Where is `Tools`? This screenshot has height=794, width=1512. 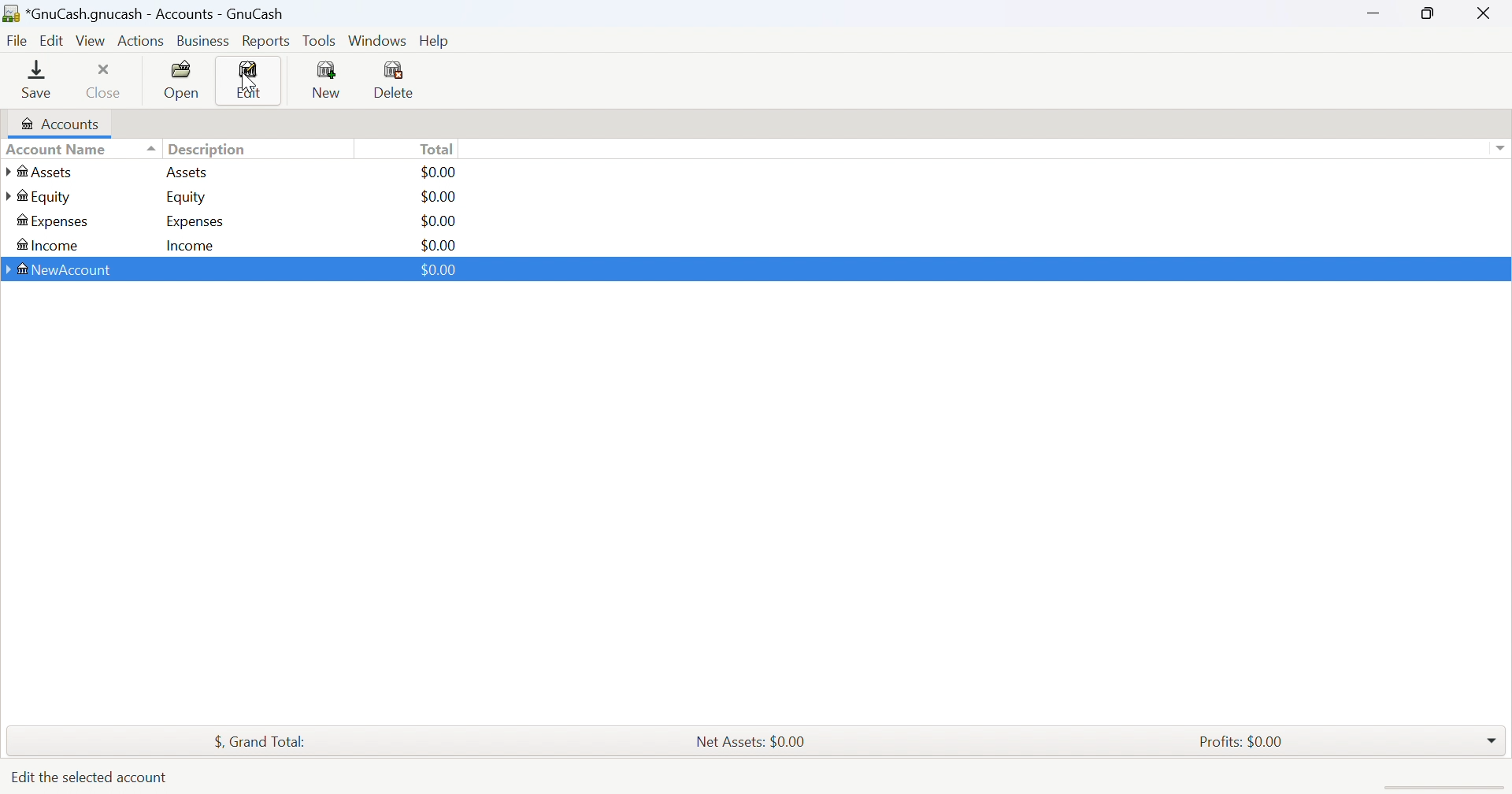
Tools is located at coordinates (321, 40).